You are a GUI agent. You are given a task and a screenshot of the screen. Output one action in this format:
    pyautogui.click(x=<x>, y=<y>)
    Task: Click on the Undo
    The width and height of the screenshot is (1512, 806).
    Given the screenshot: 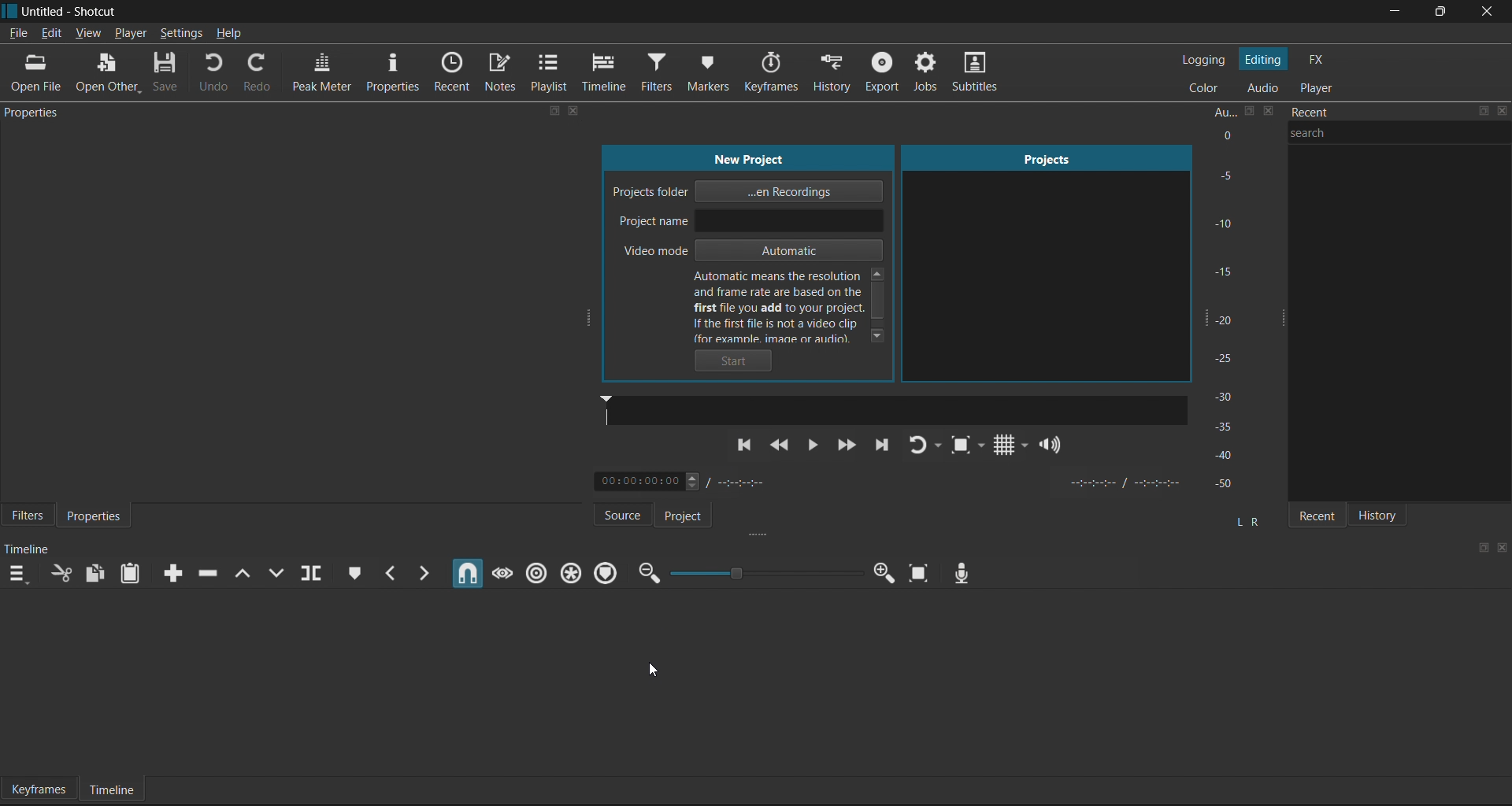 What is the action you would take?
    pyautogui.click(x=221, y=74)
    